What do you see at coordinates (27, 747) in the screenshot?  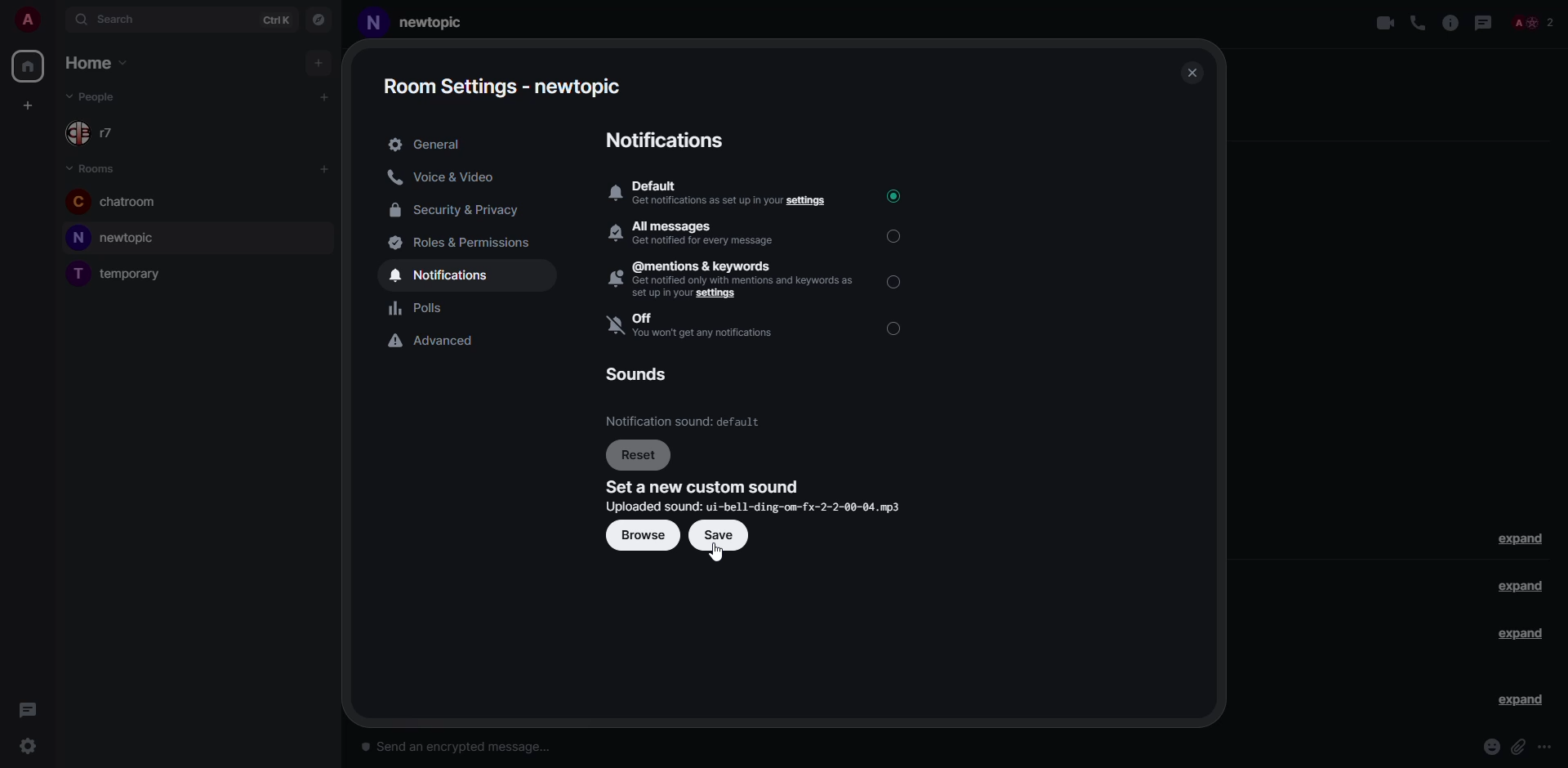 I see `quick settings` at bounding box center [27, 747].